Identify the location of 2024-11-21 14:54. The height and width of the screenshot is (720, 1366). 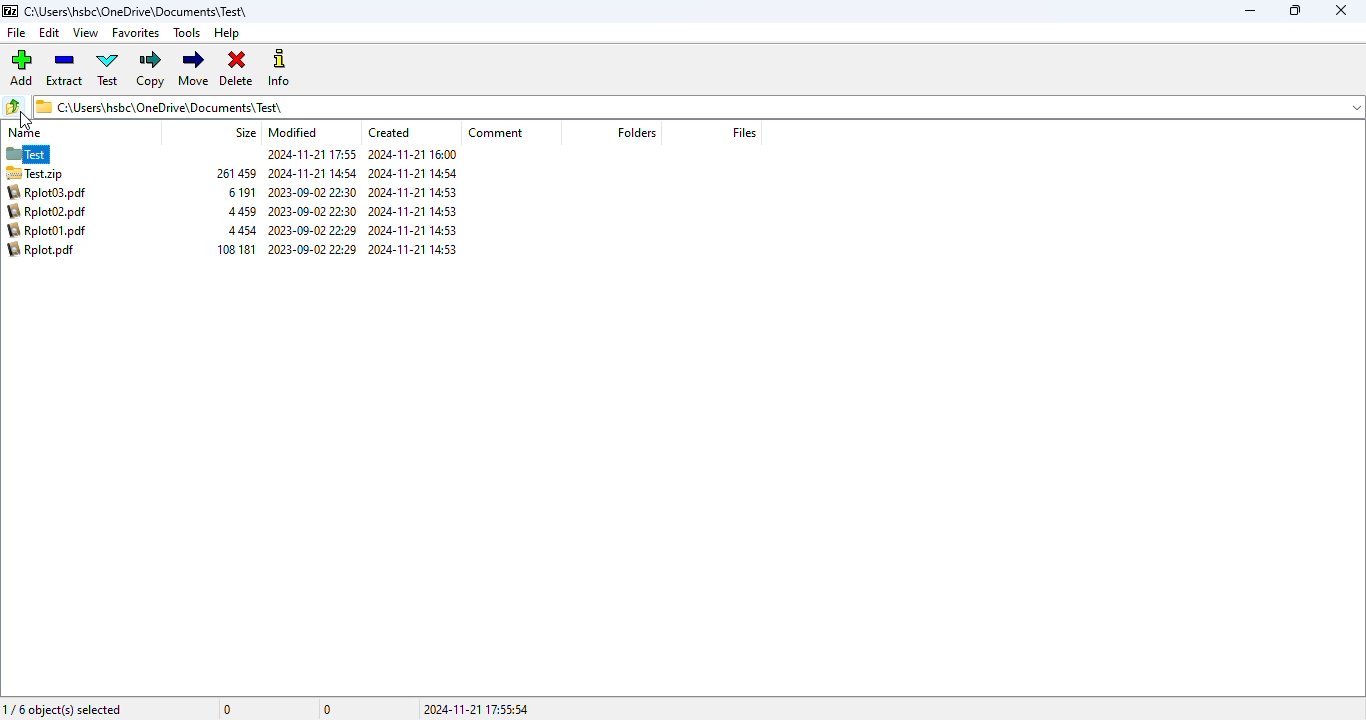
(313, 174).